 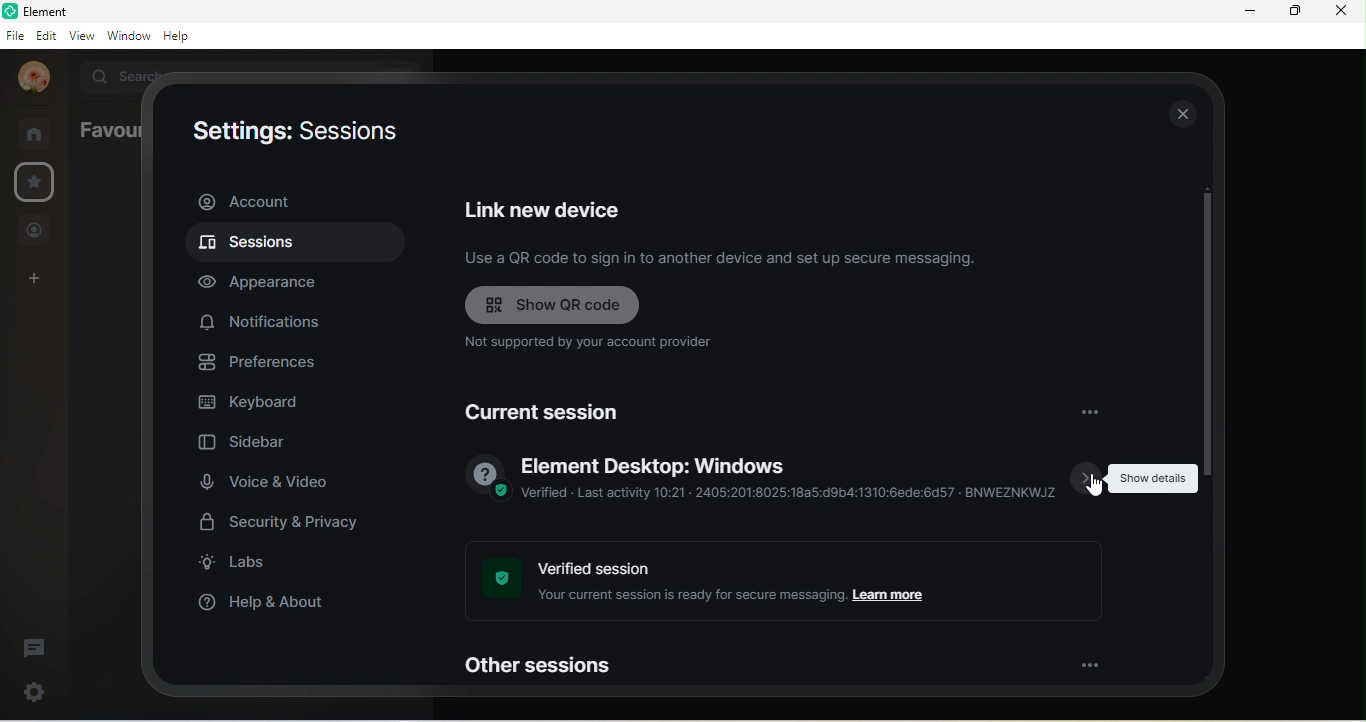 I want to click on sessions, so click(x=291, y=245).